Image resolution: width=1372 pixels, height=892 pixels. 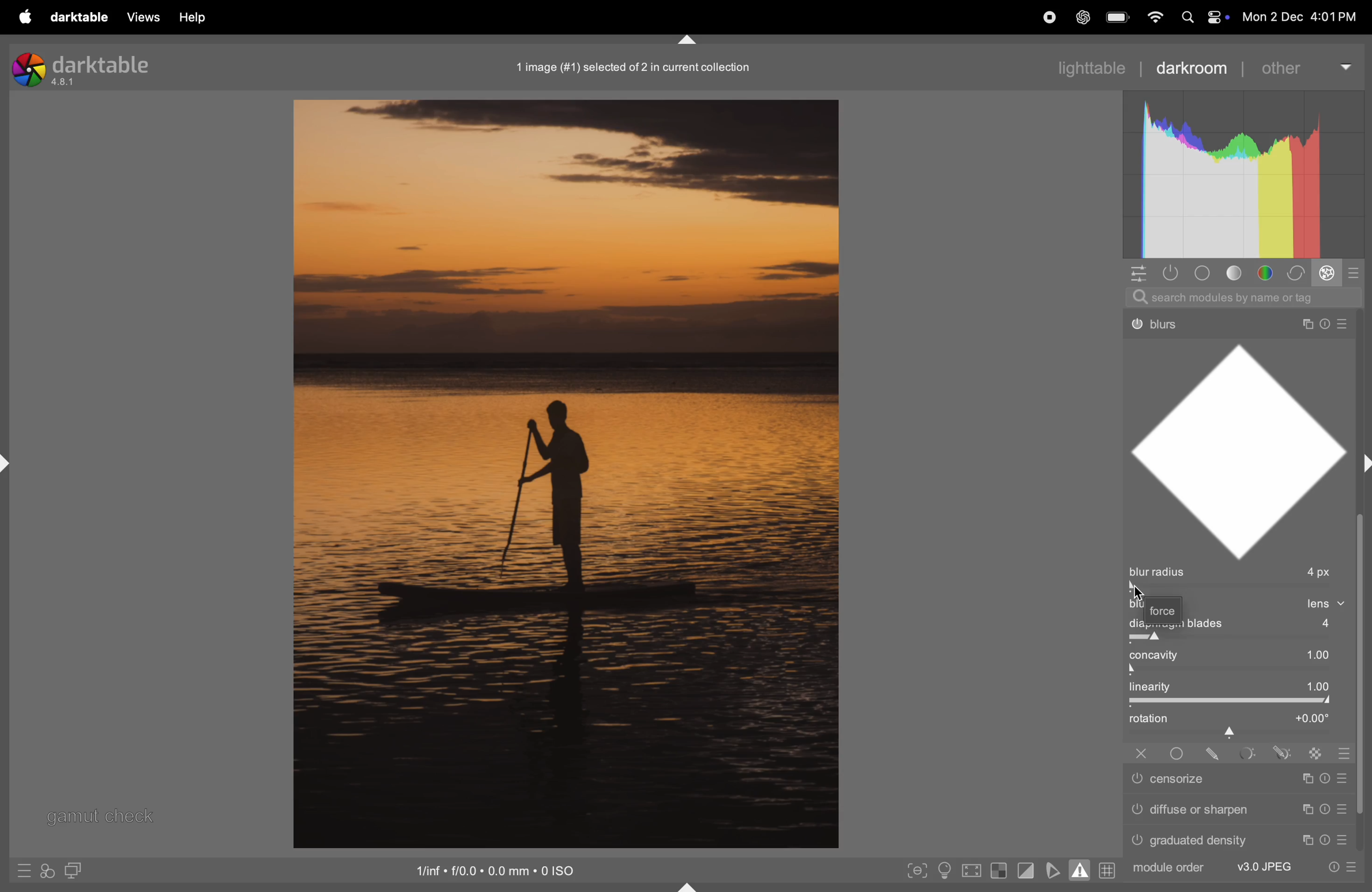 I want to click on apple menu, so click(x=27, y=17).